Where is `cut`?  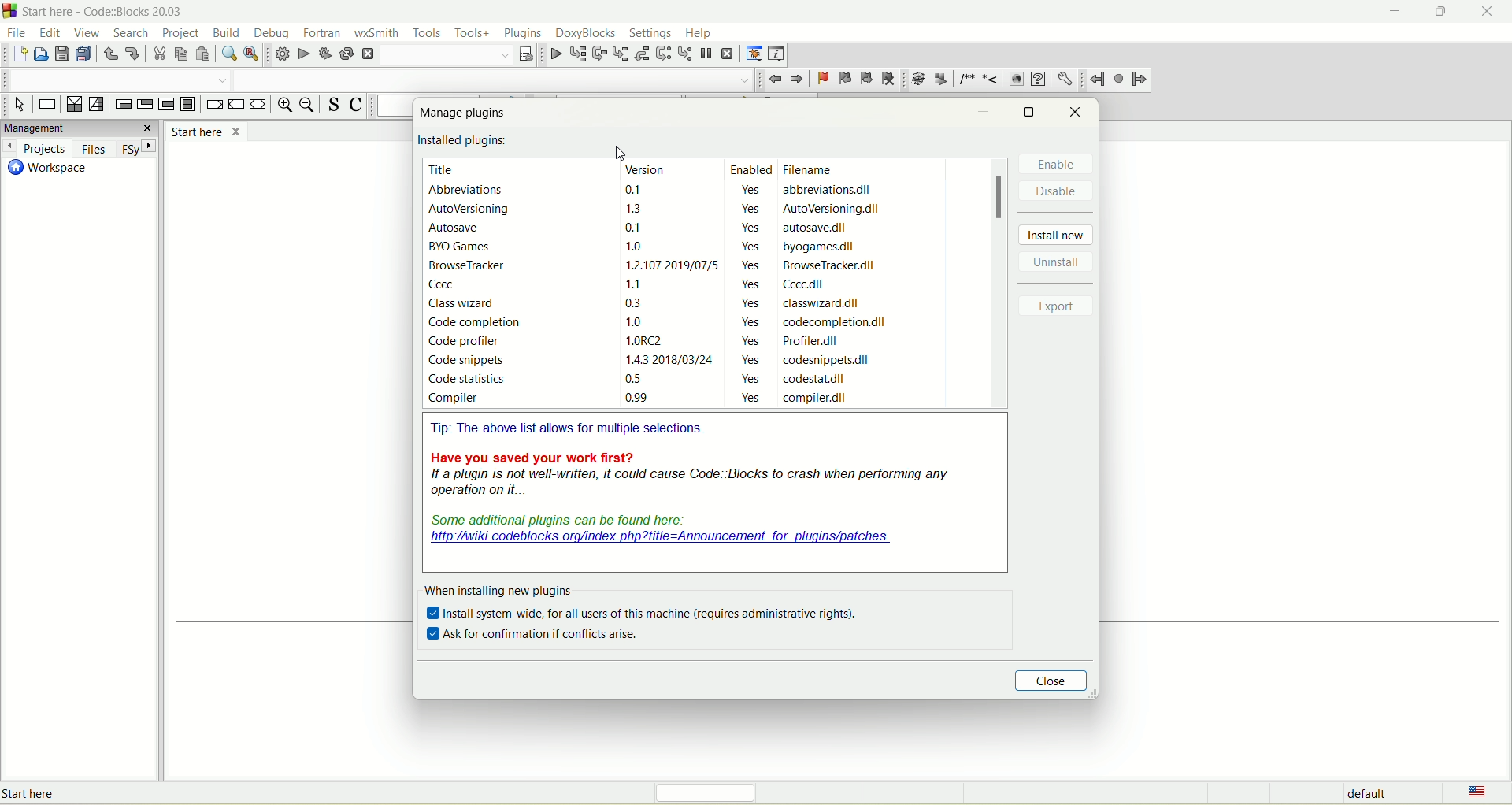 cut is located at coordinates (157, 57).